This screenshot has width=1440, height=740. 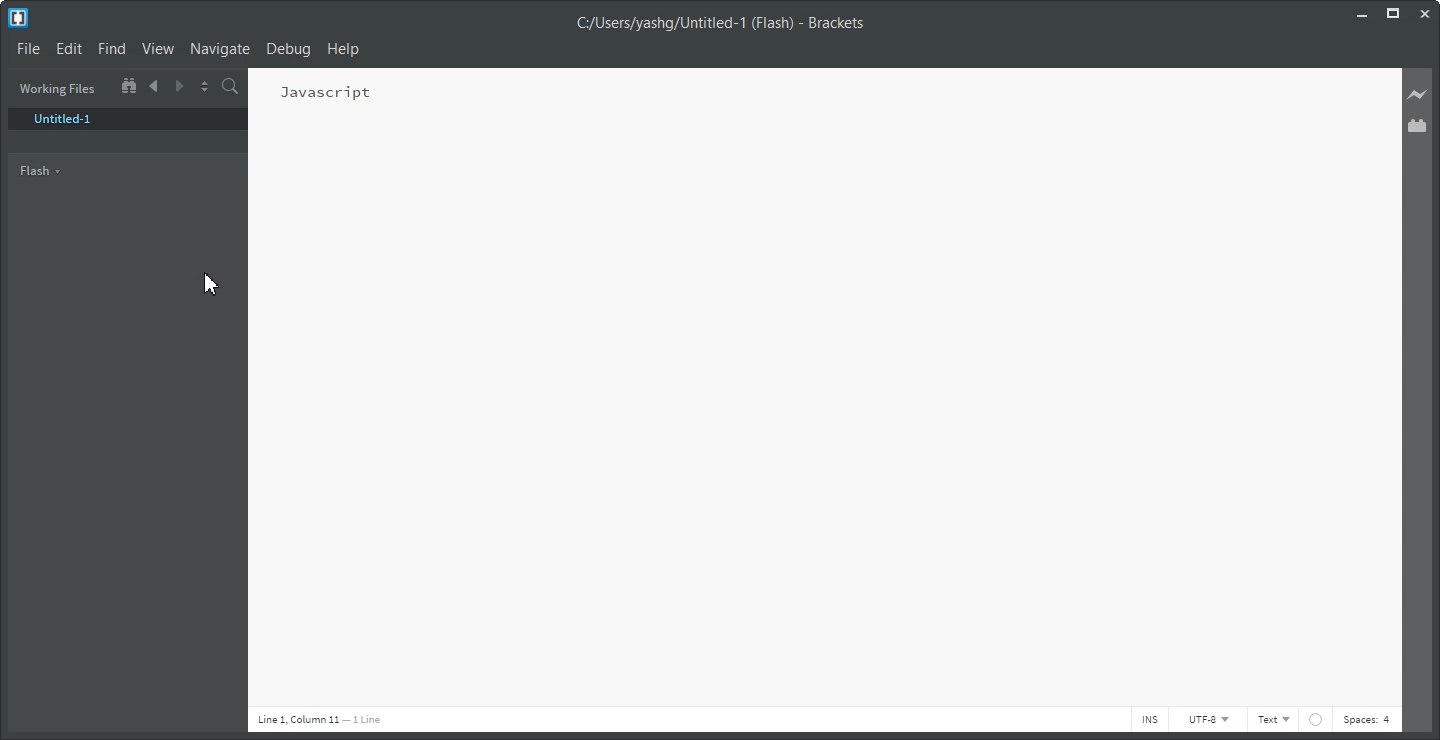 What do you see at coordinates (203, 86) in the screenshot?
I see `Split the editor vertically or Horizontally` at bounding box center [203, 86].